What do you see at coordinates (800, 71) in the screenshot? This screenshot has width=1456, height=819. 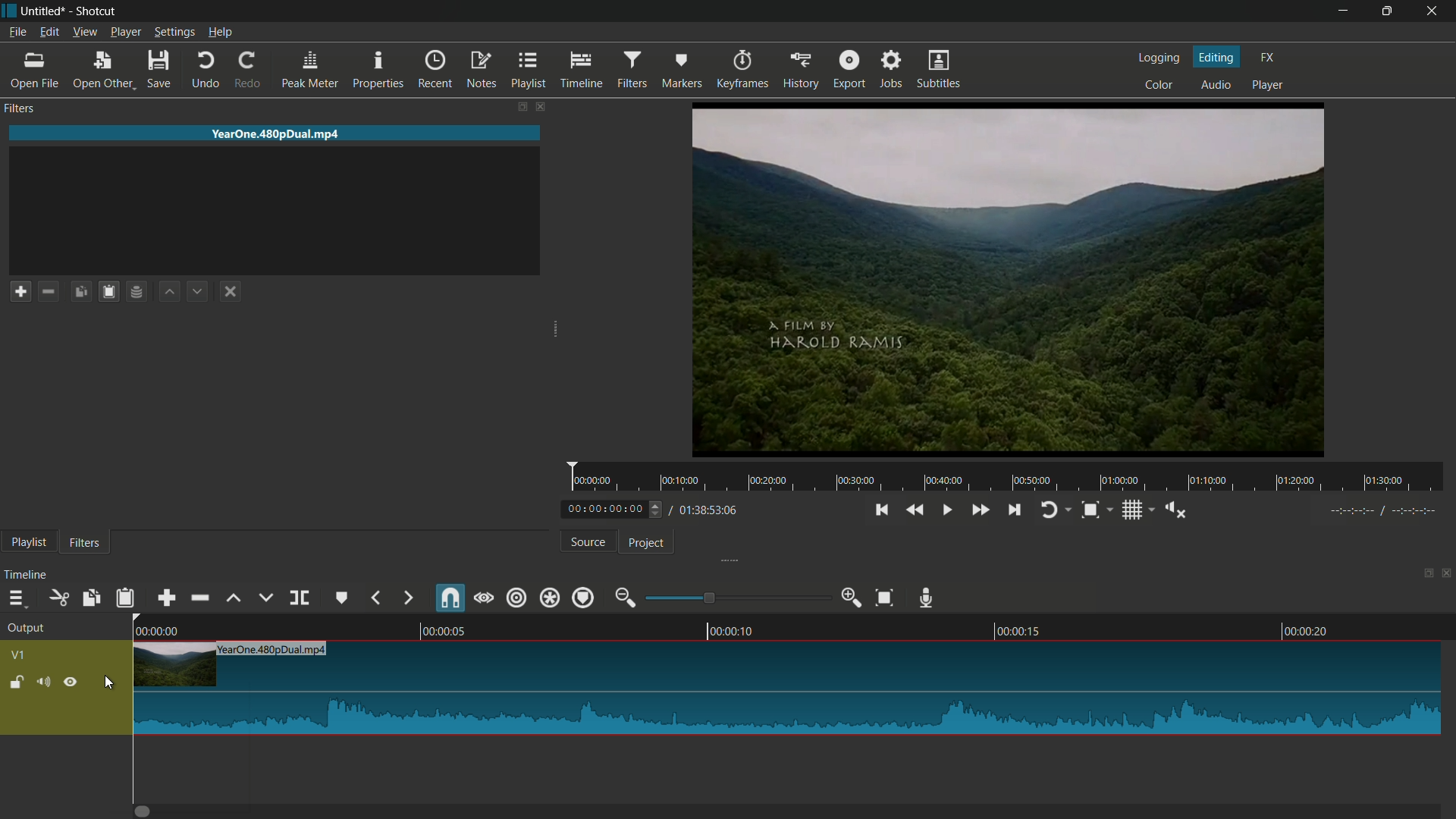 I see `history` at bounding box center [800, 71].